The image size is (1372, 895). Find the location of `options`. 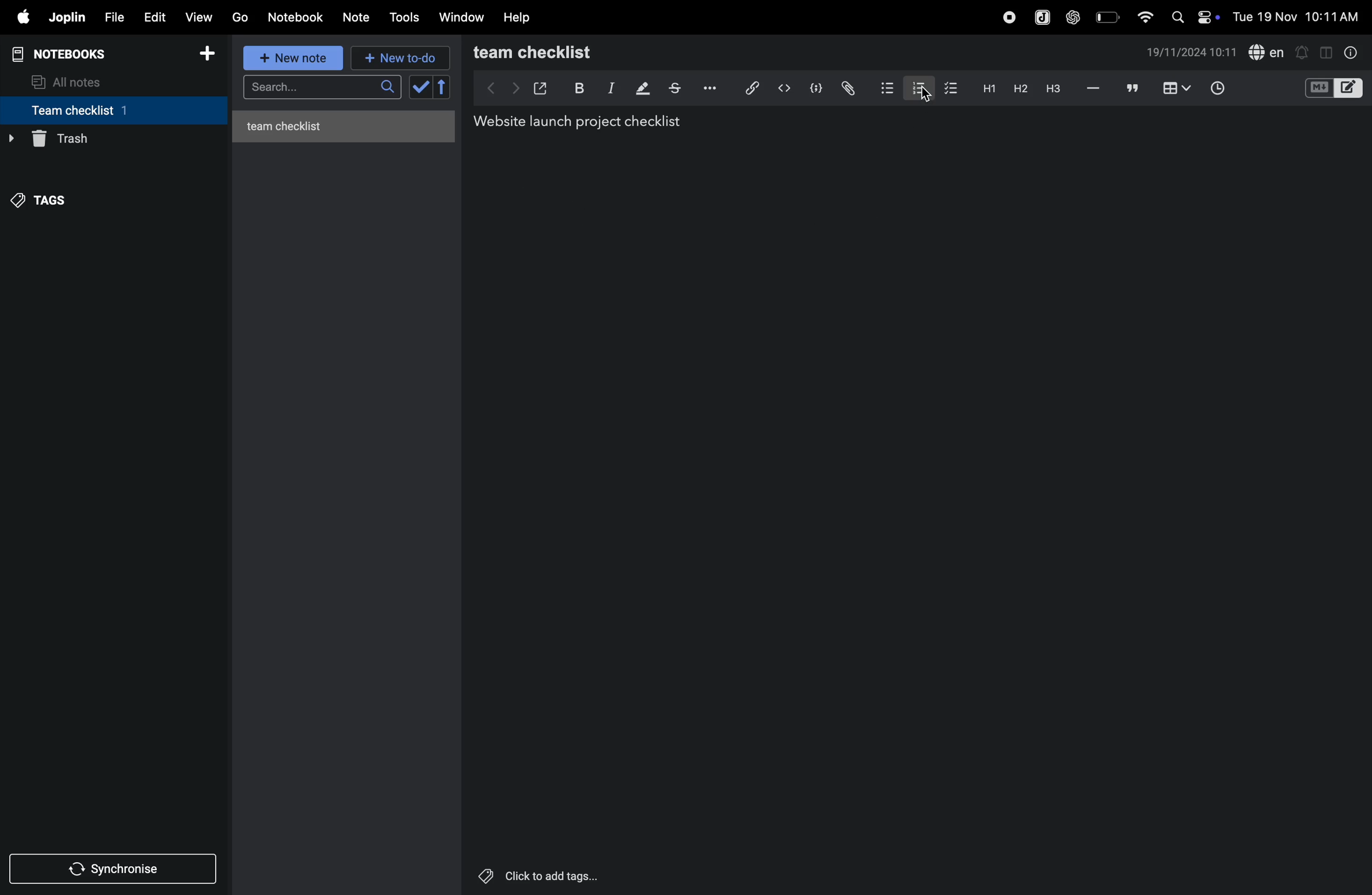

options is located at coordinates (708, 88).